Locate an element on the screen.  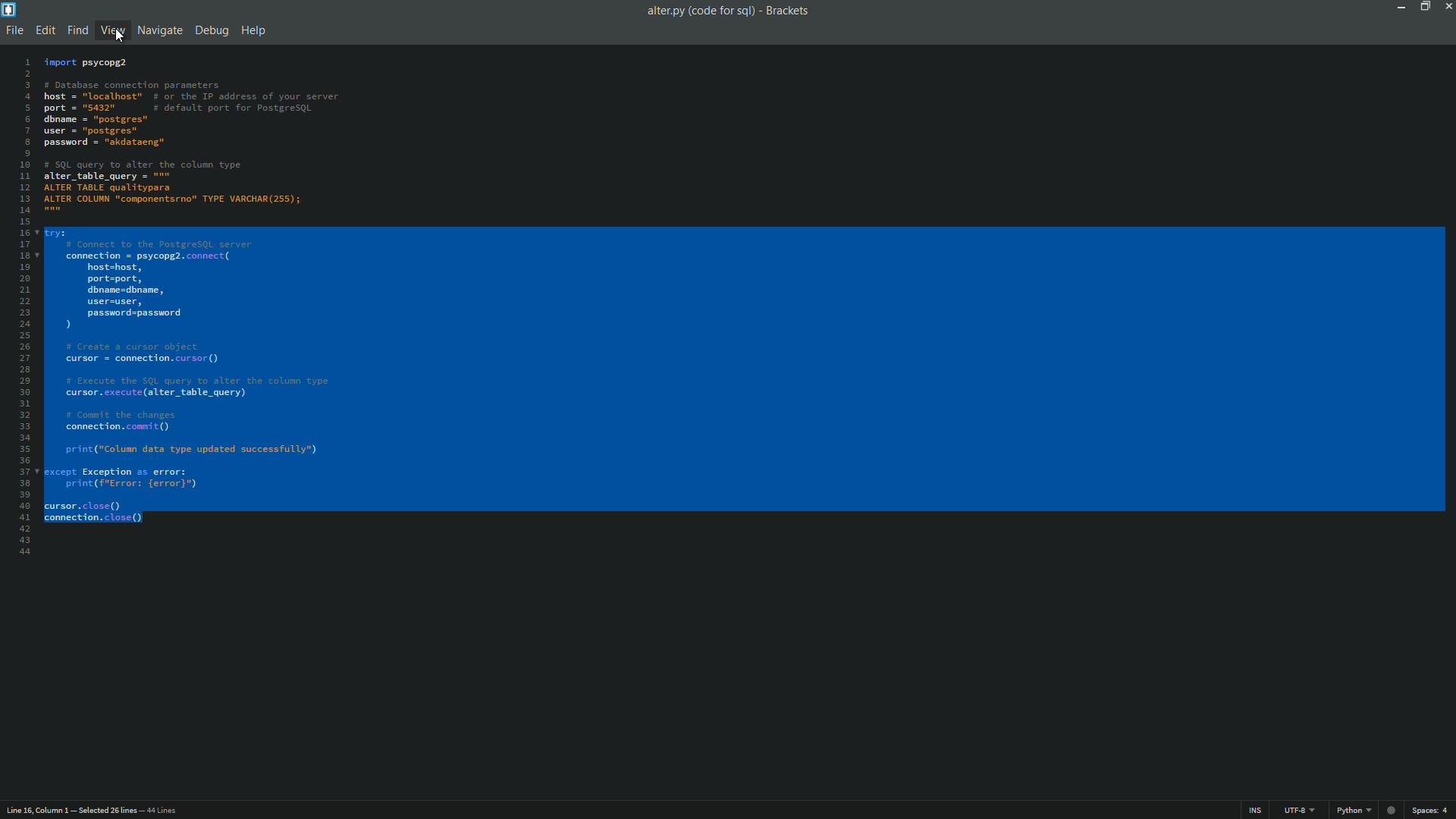
number of lines is located at coordinates (135, 812).